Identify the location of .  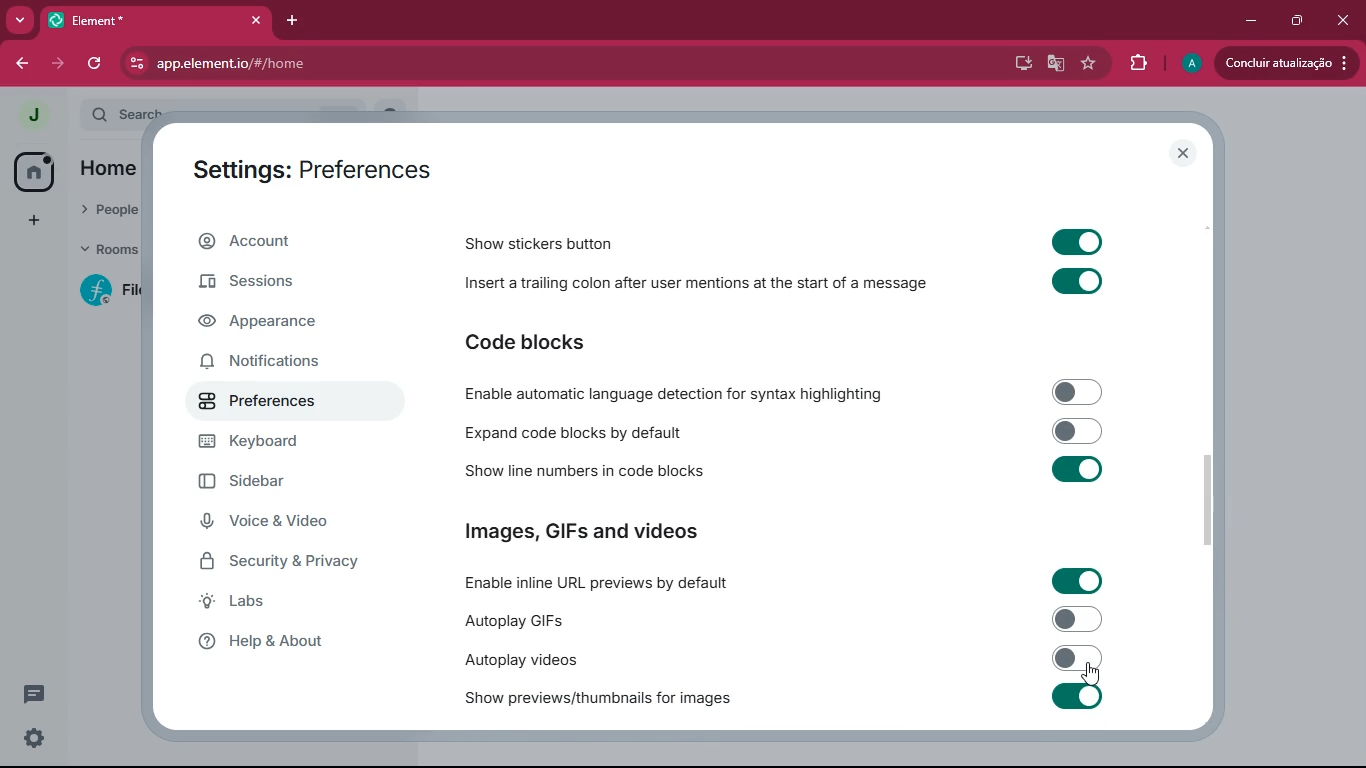
(1079, 430).